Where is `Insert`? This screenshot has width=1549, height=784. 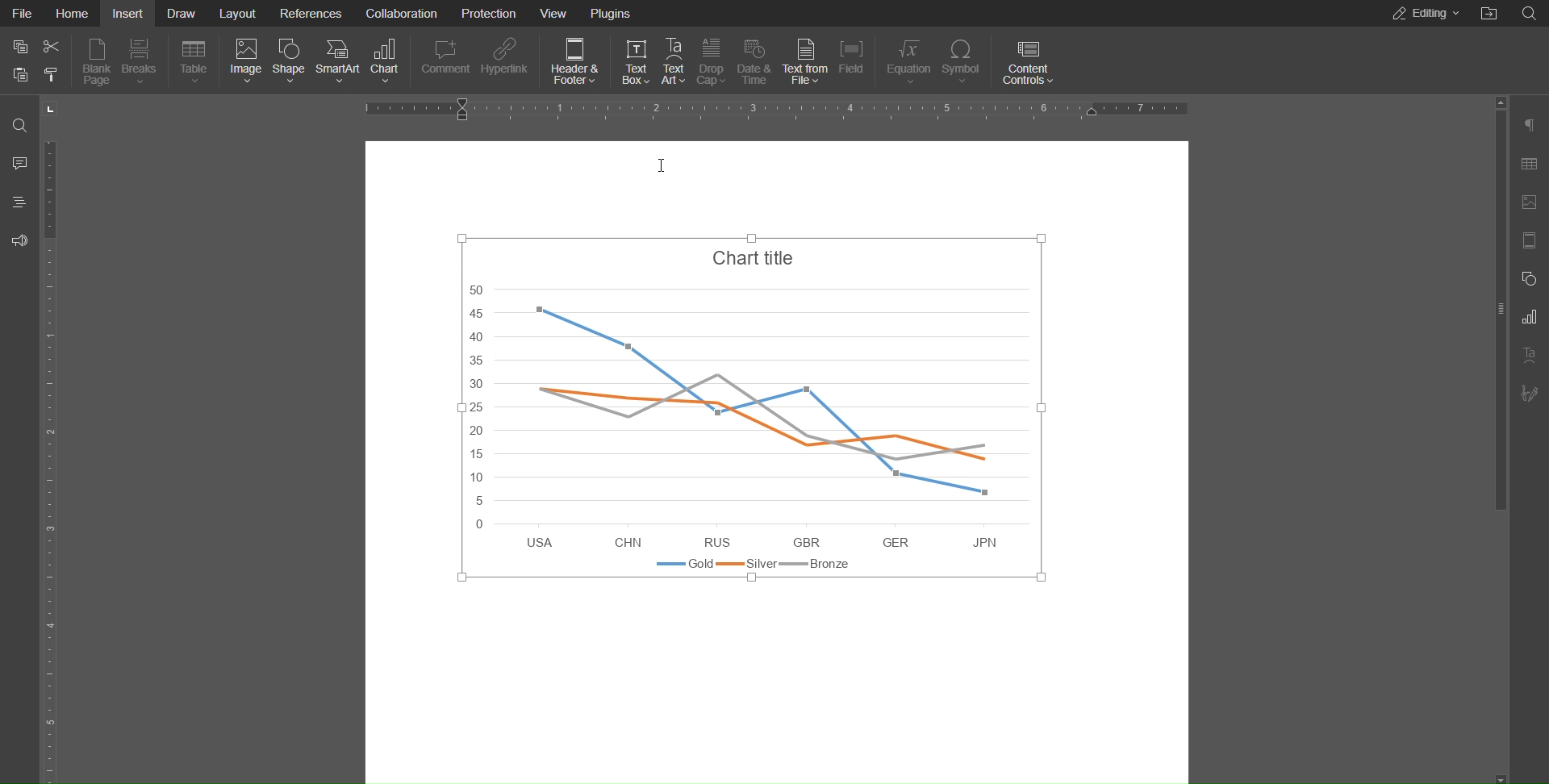 Insert is located at coordinates (127, 14).